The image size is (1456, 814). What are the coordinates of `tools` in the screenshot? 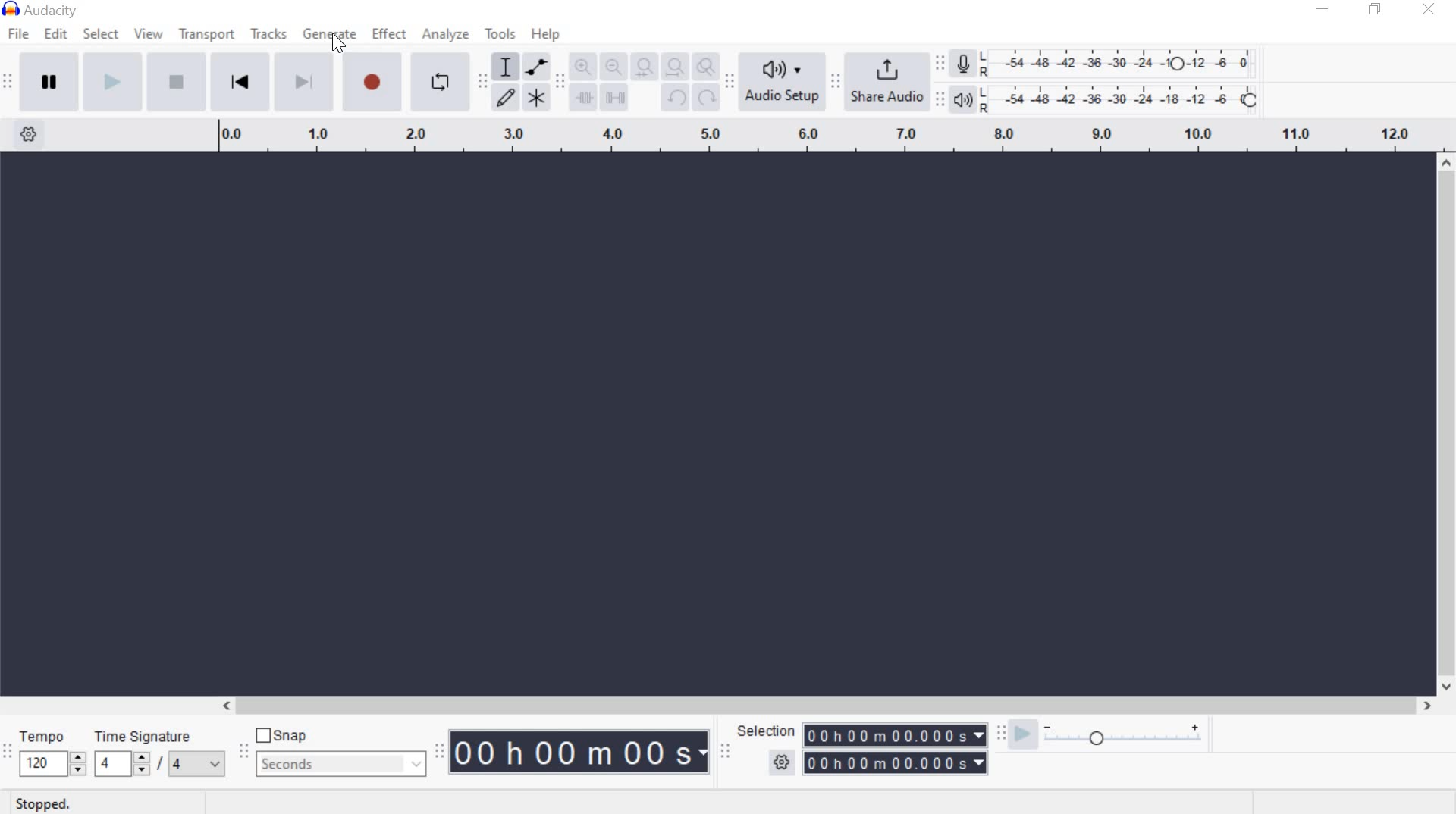 It's located at (500, 36).